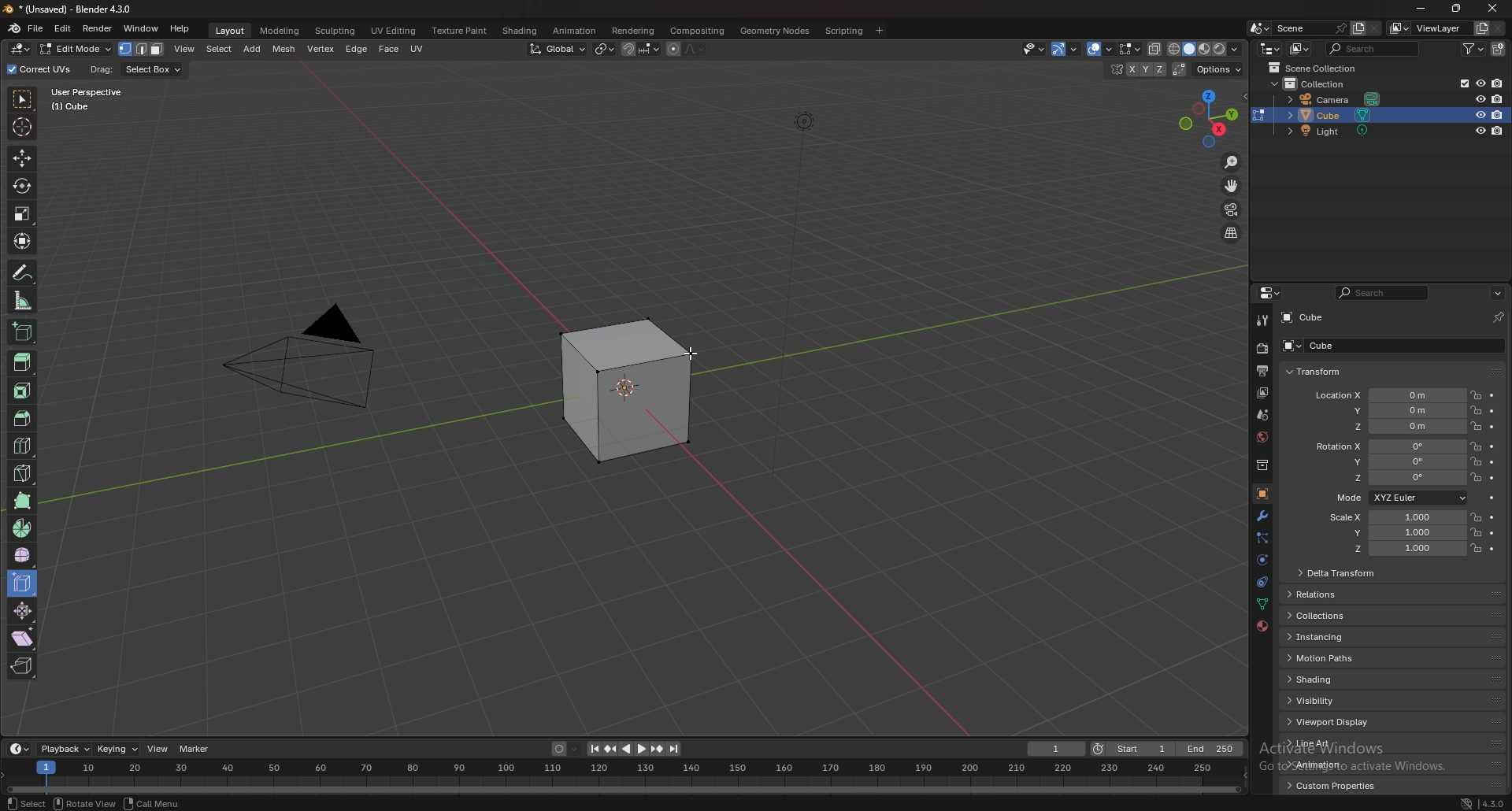 The height and width of the screenshot is (811, 1512). What do you see at coordinates (674, 50) in the screenshot?
I see `proportional editing object` at bounding box center [674, 50].